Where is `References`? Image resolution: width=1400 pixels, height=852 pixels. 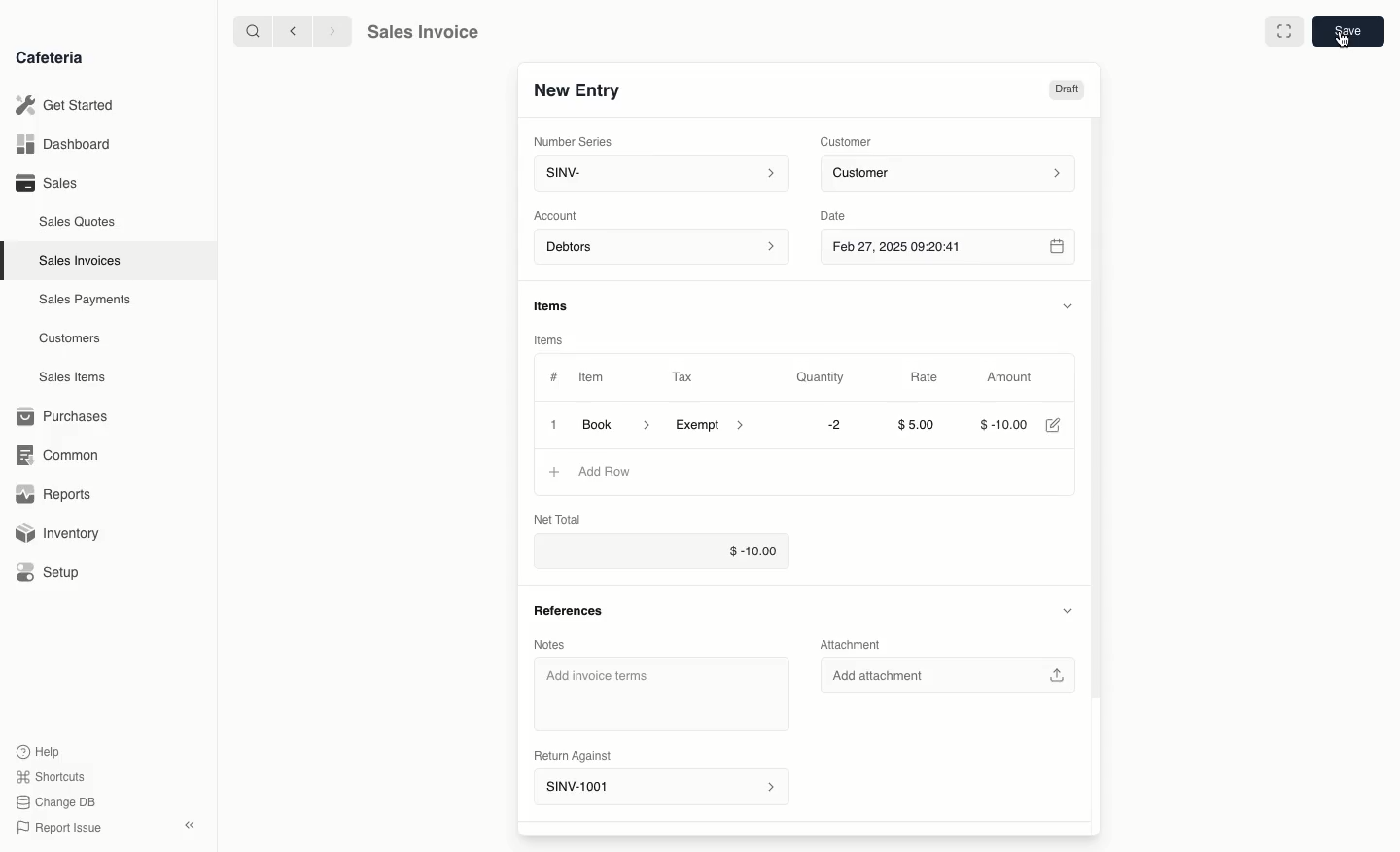
References is located at coordinates (573, 611).